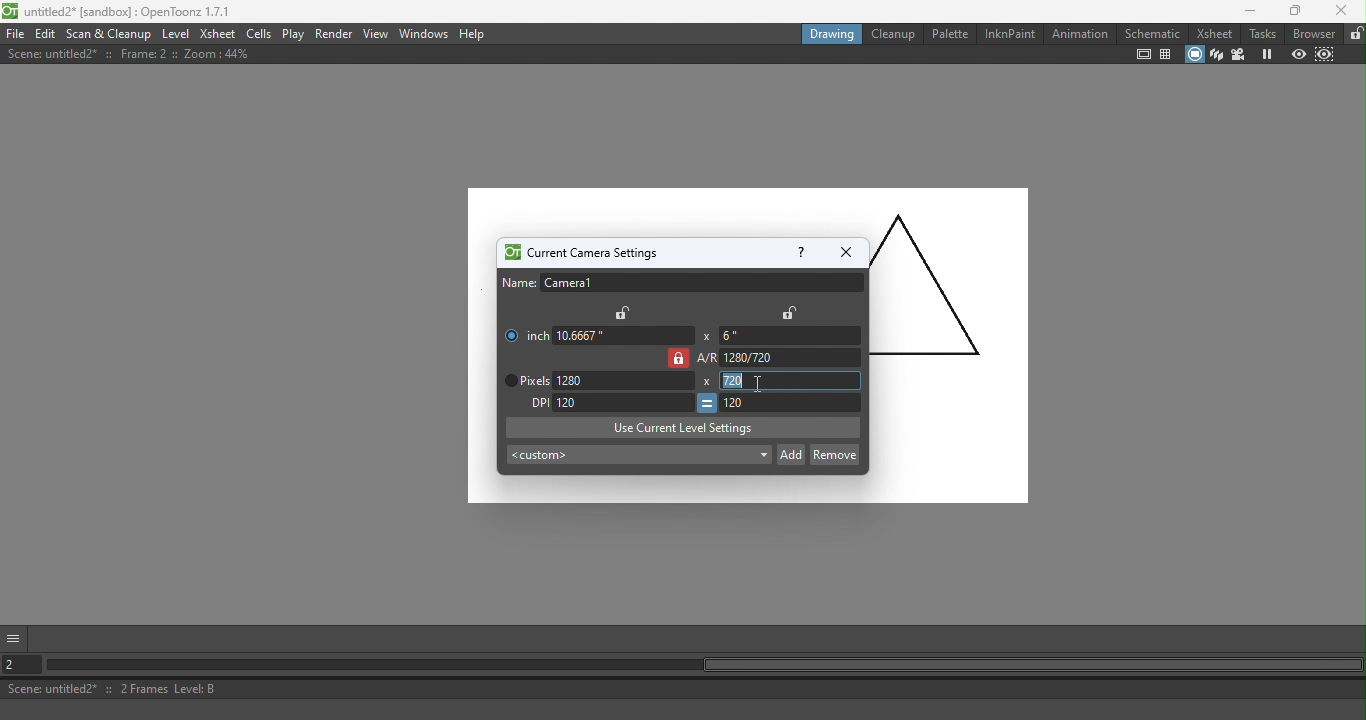 This screenshot has height=720, width=1366. Describe the element at coordinates (534, 403) in the screenshot. I see `DPI` at that location.